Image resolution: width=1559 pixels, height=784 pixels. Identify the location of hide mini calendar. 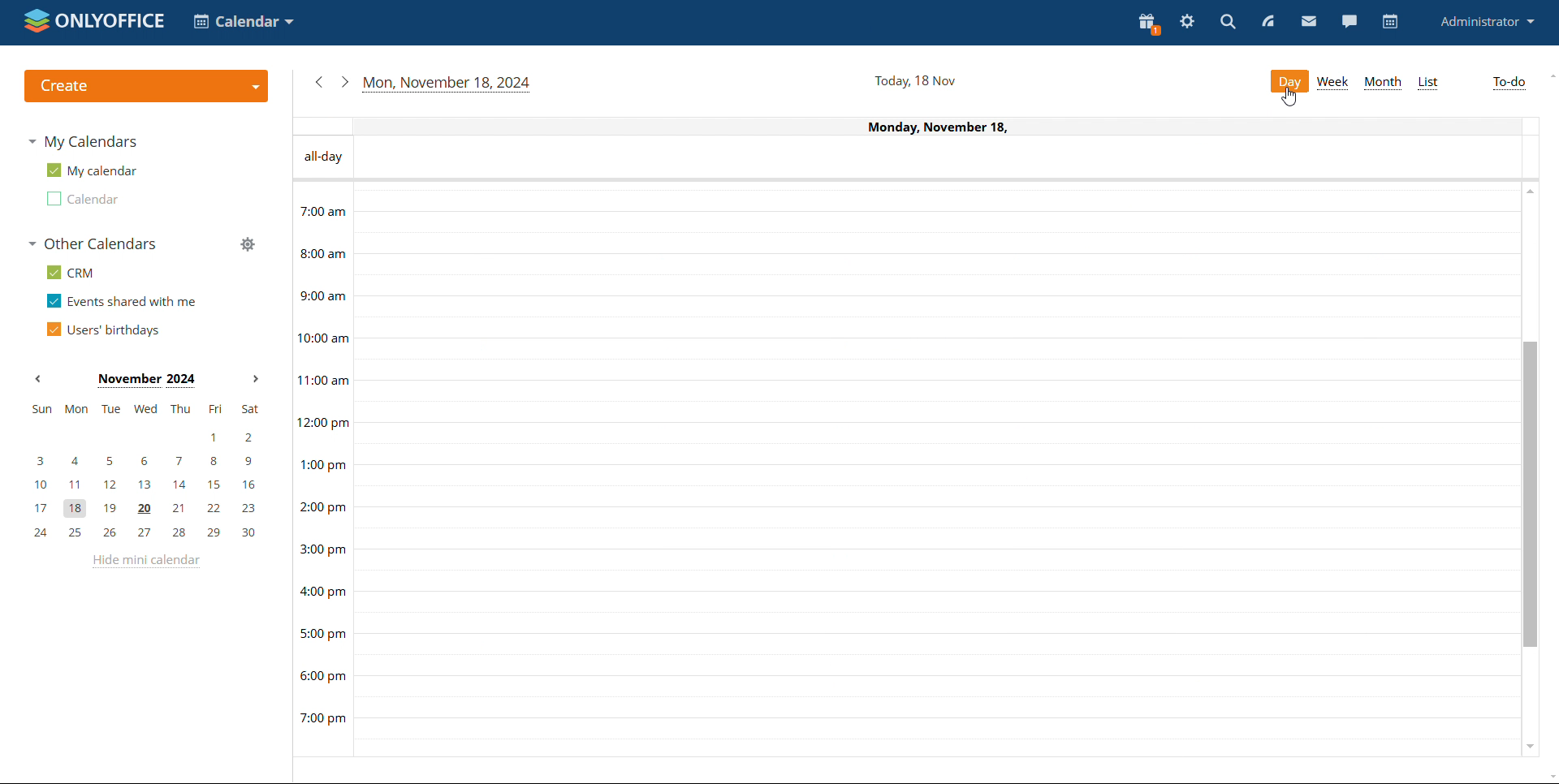
(145, 562).